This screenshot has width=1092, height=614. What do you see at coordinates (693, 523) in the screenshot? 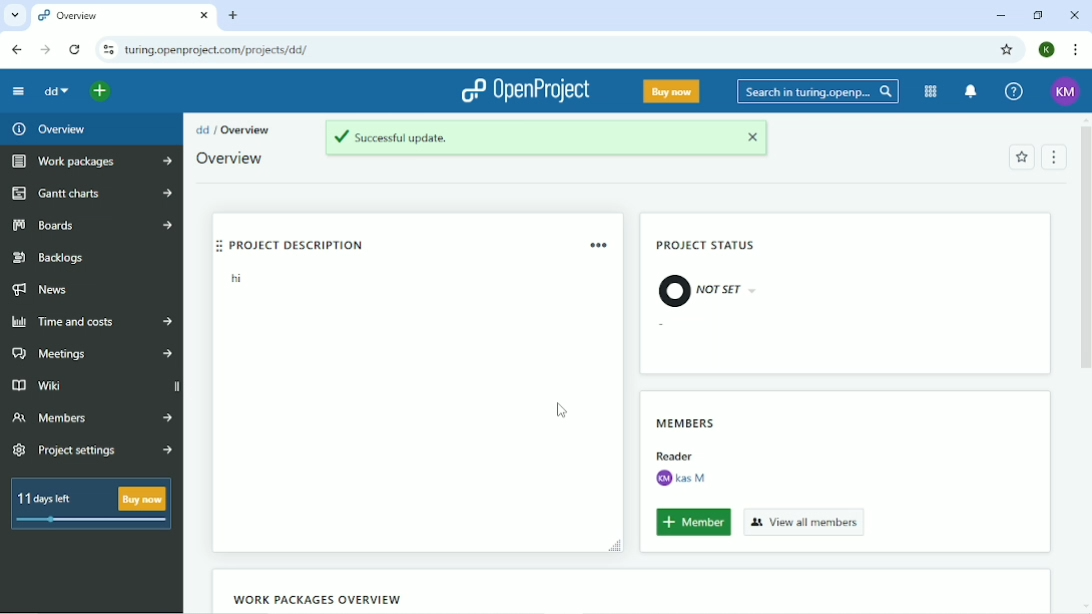
I see `Member` at bounding box center [693, 523].